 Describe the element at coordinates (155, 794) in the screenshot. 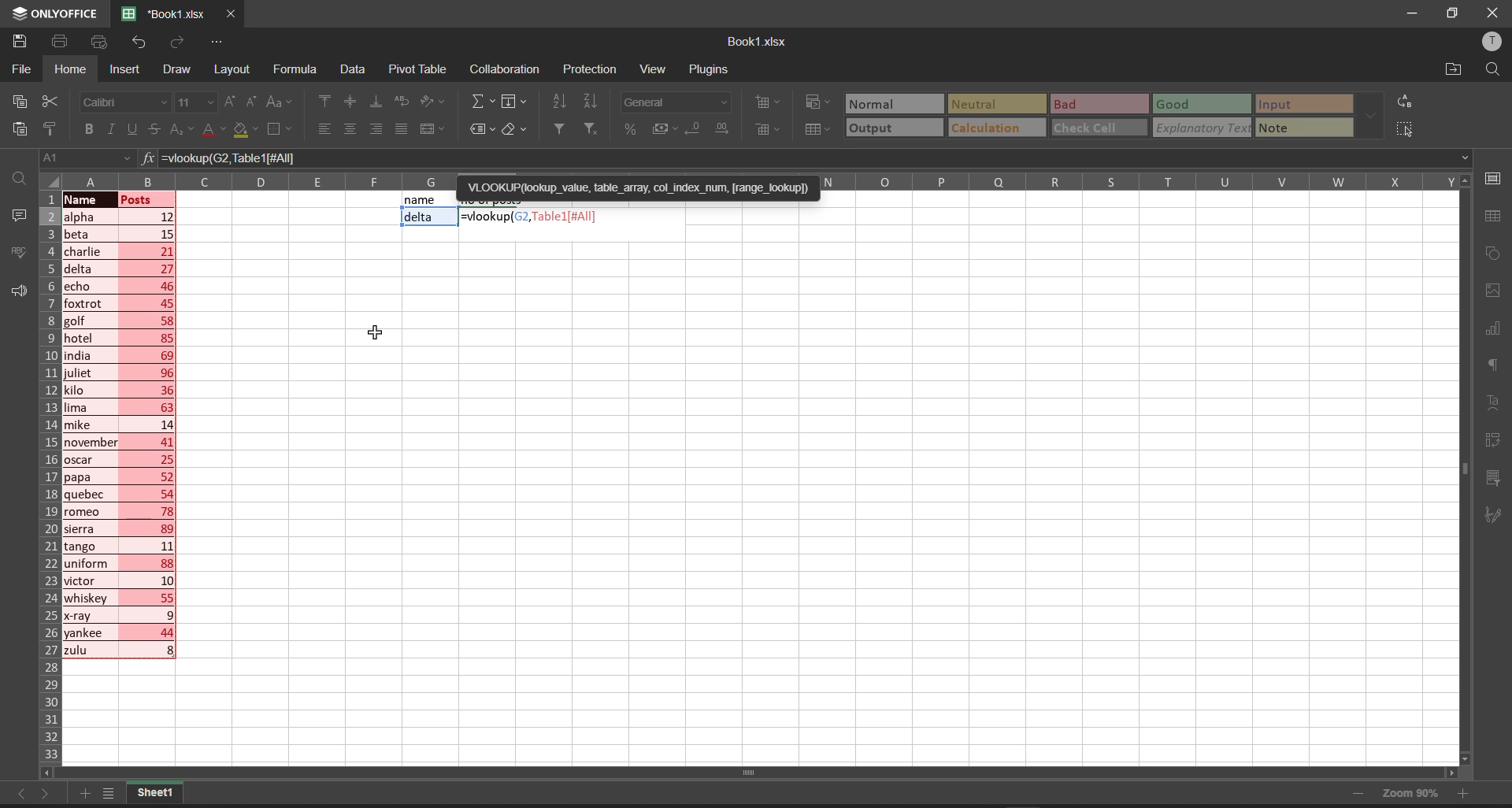

I see `sheet1` at that location.